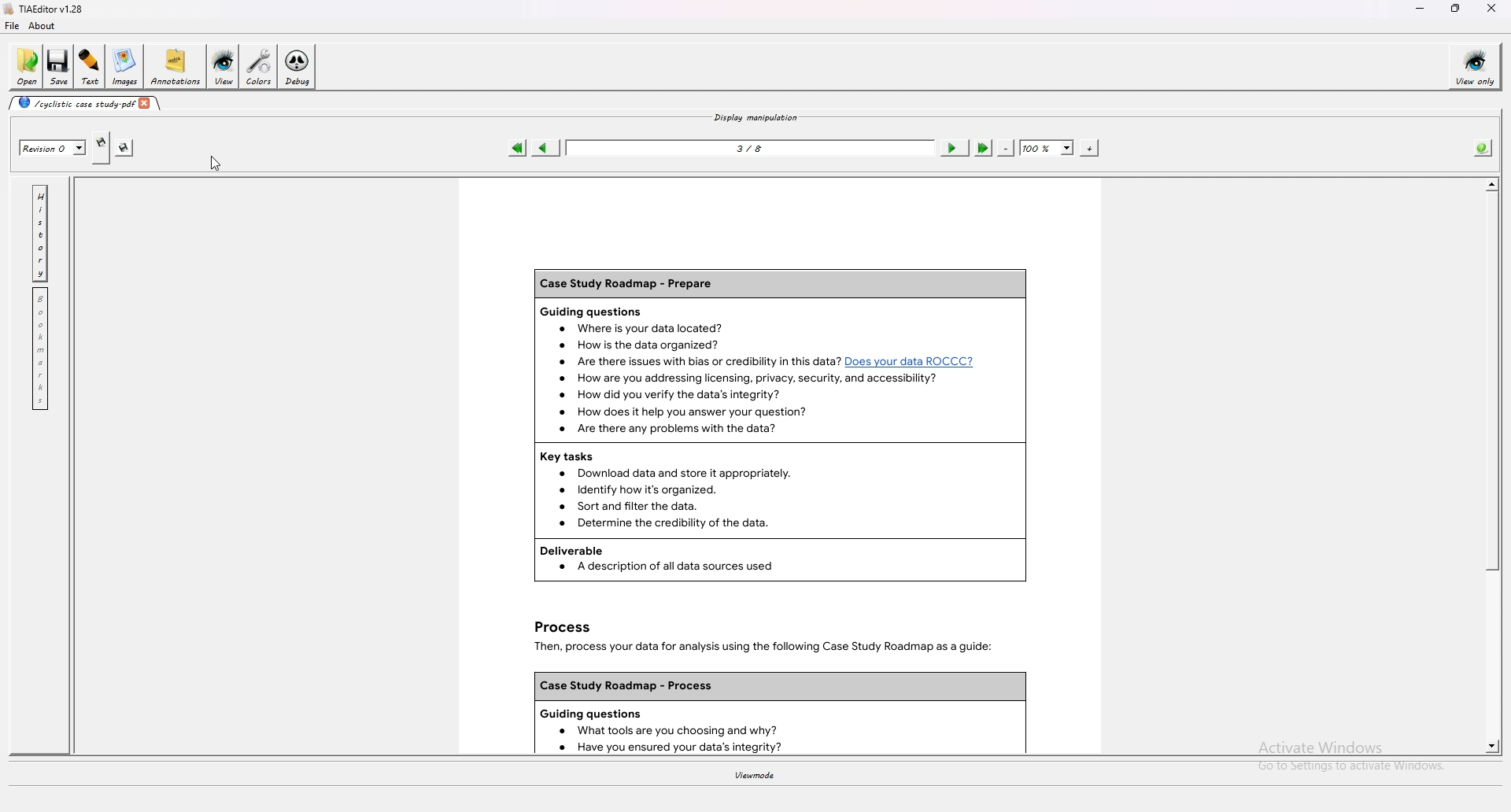 This screenshot has height=812, width=1511. What do you see at coordinates (1047, 148) in the screenshot?
I see `zoom percentage` at bounding box center [1047, 148].